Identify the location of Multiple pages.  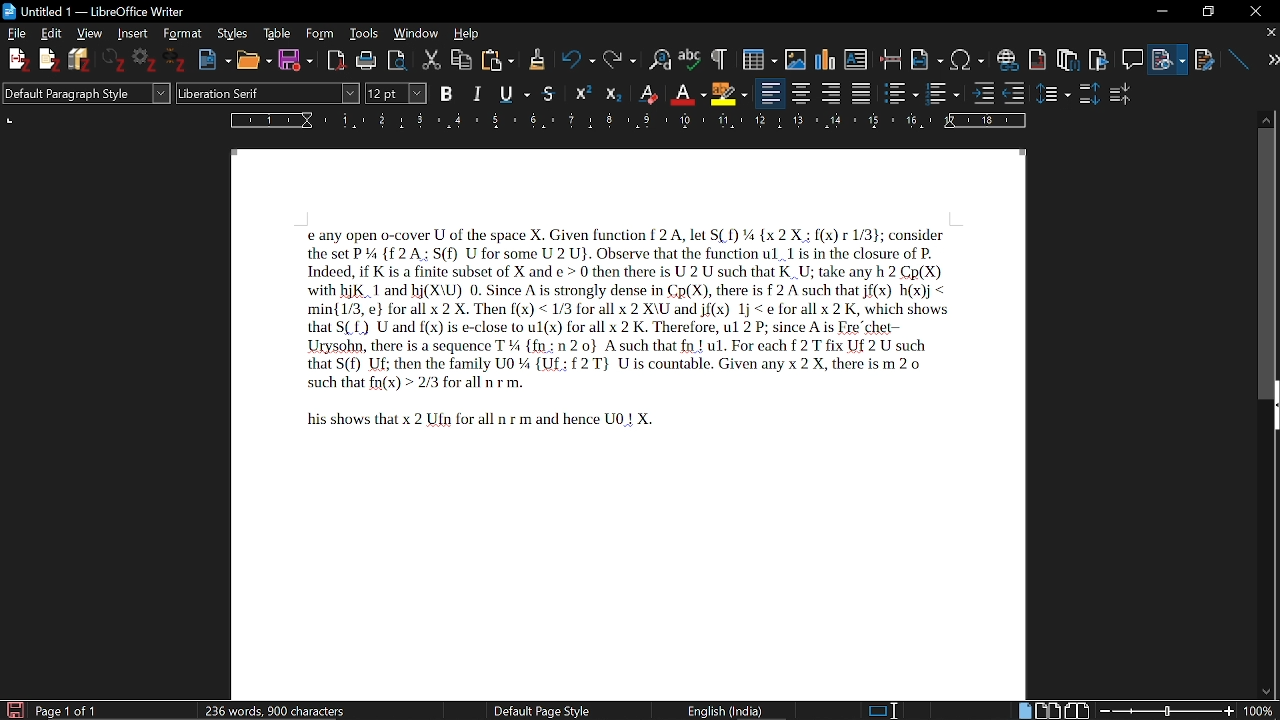
(1051, 709).